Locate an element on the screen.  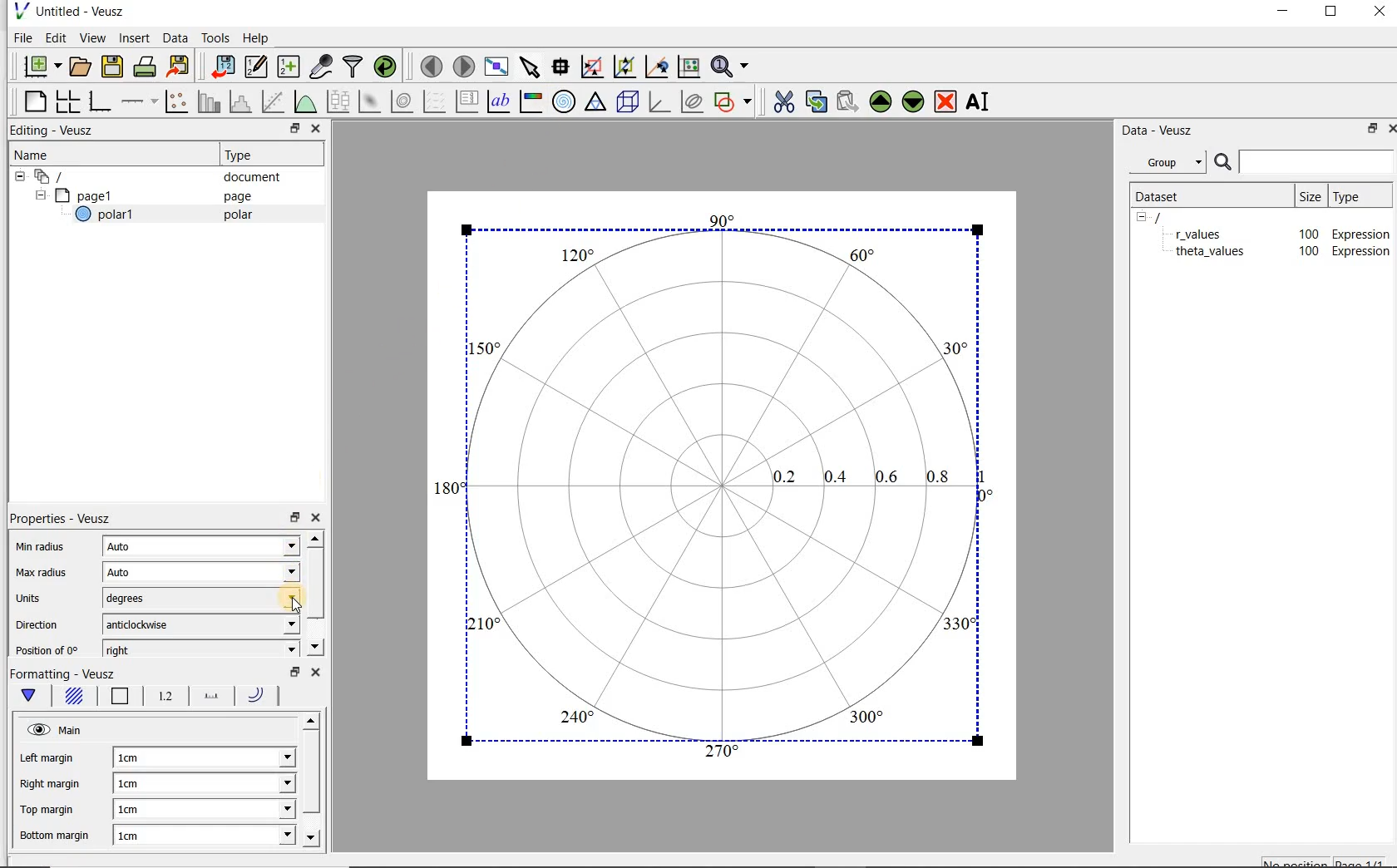
click or draw a rectangle to zoom graph axes is located at coordinates (595, 67).